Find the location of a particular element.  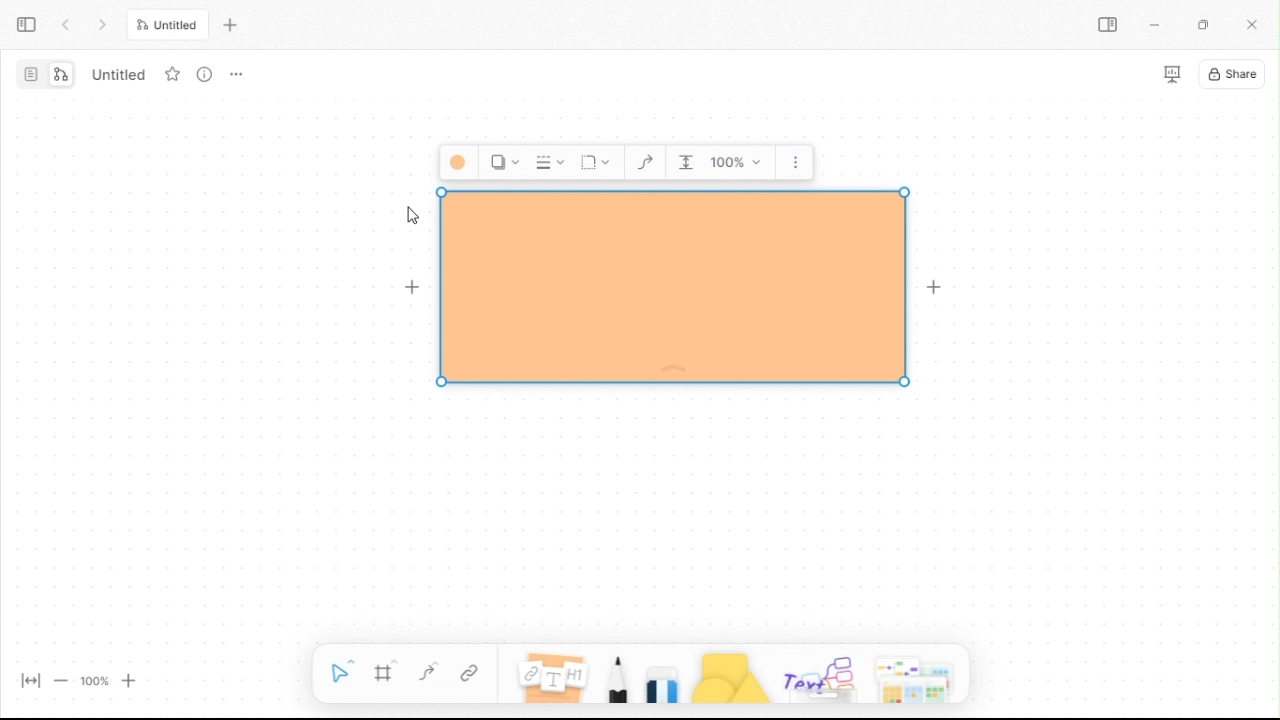

restore is located at coordinates (1209, 25).